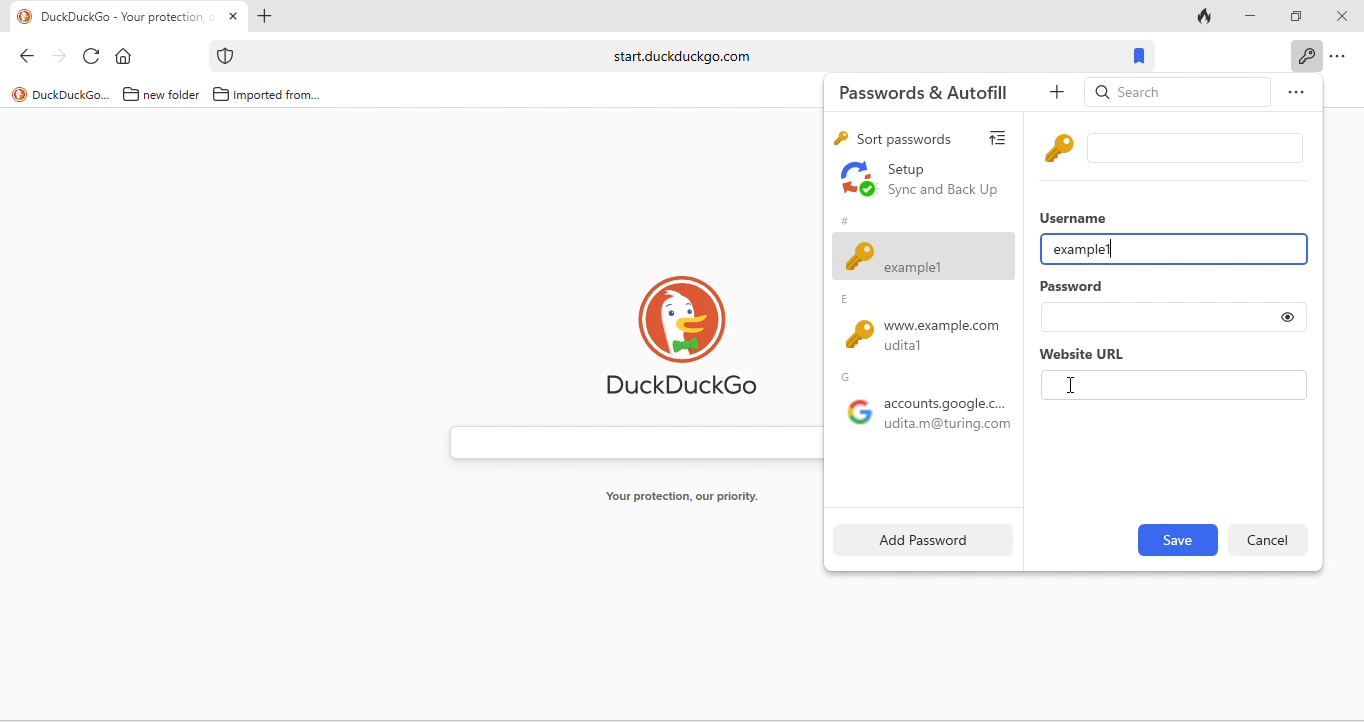  I want to click on website url input box, so click(1175, 386).